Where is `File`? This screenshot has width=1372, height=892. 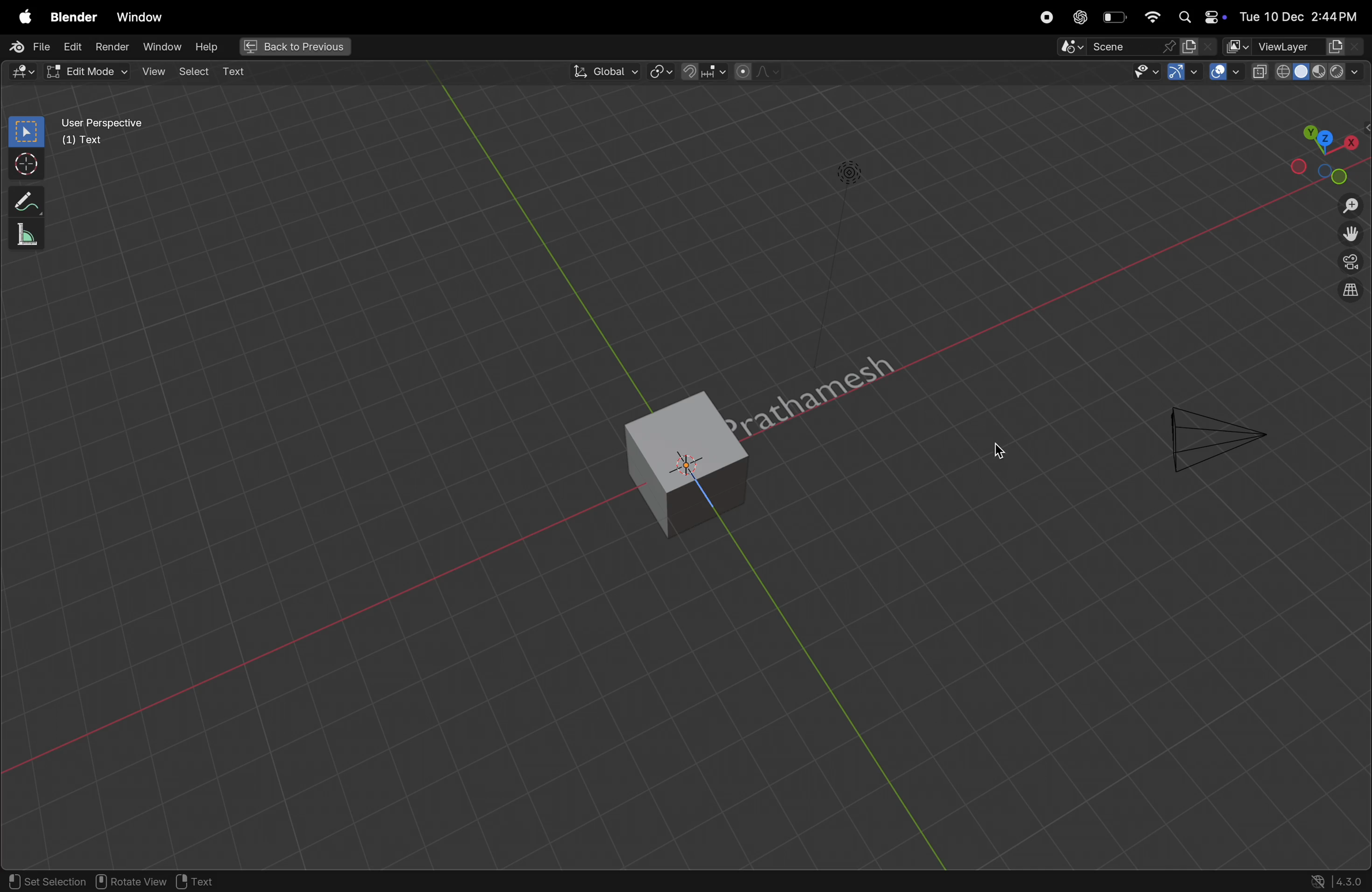 File is located at coordinates (31, 46).